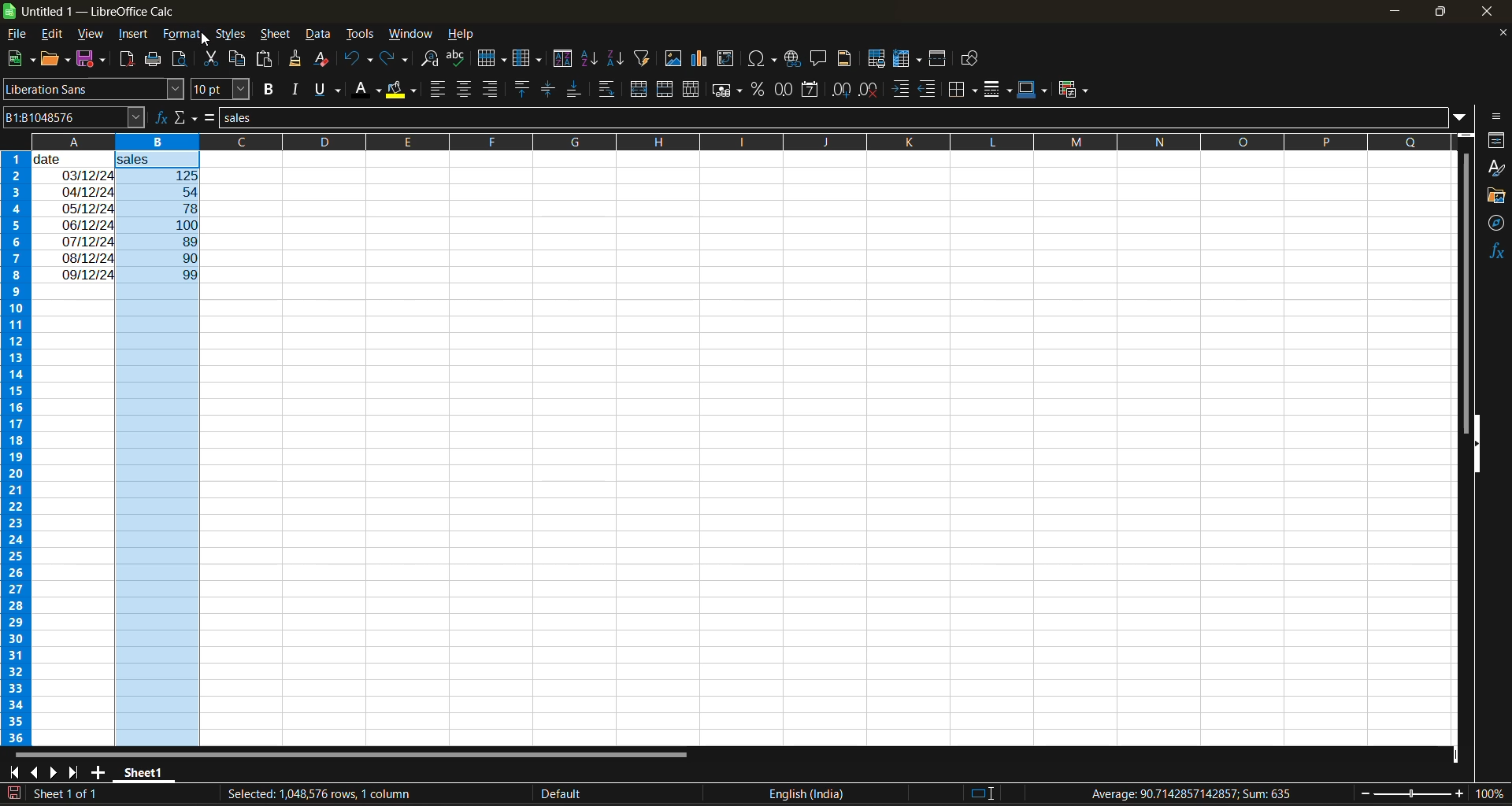  What do you see at coordinates (973, 59) in the screenshot?
I see `show draw functions` at bounding box center [973, 59].